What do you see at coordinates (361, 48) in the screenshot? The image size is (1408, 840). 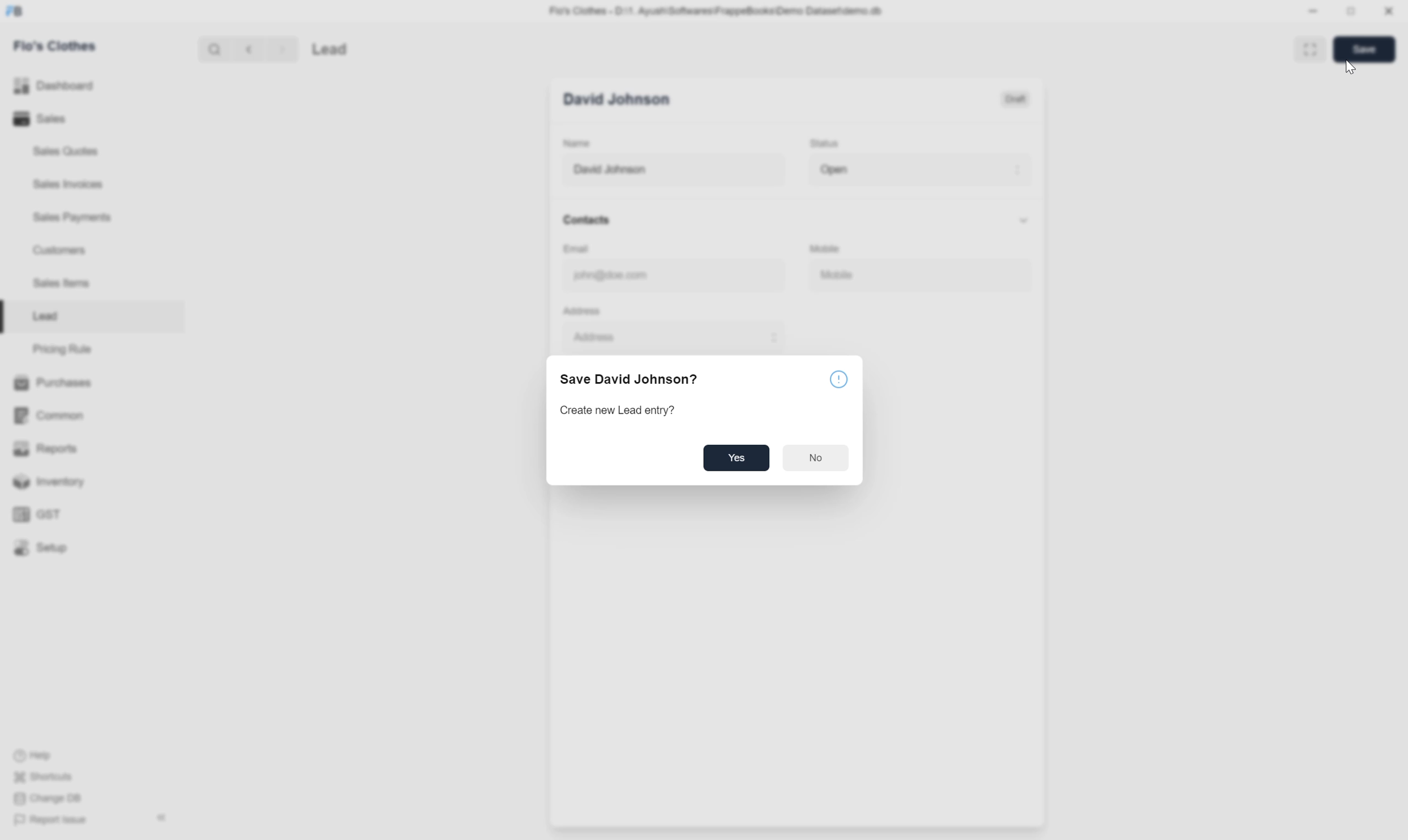 I see `Lead` at bounding box center [361, 48].